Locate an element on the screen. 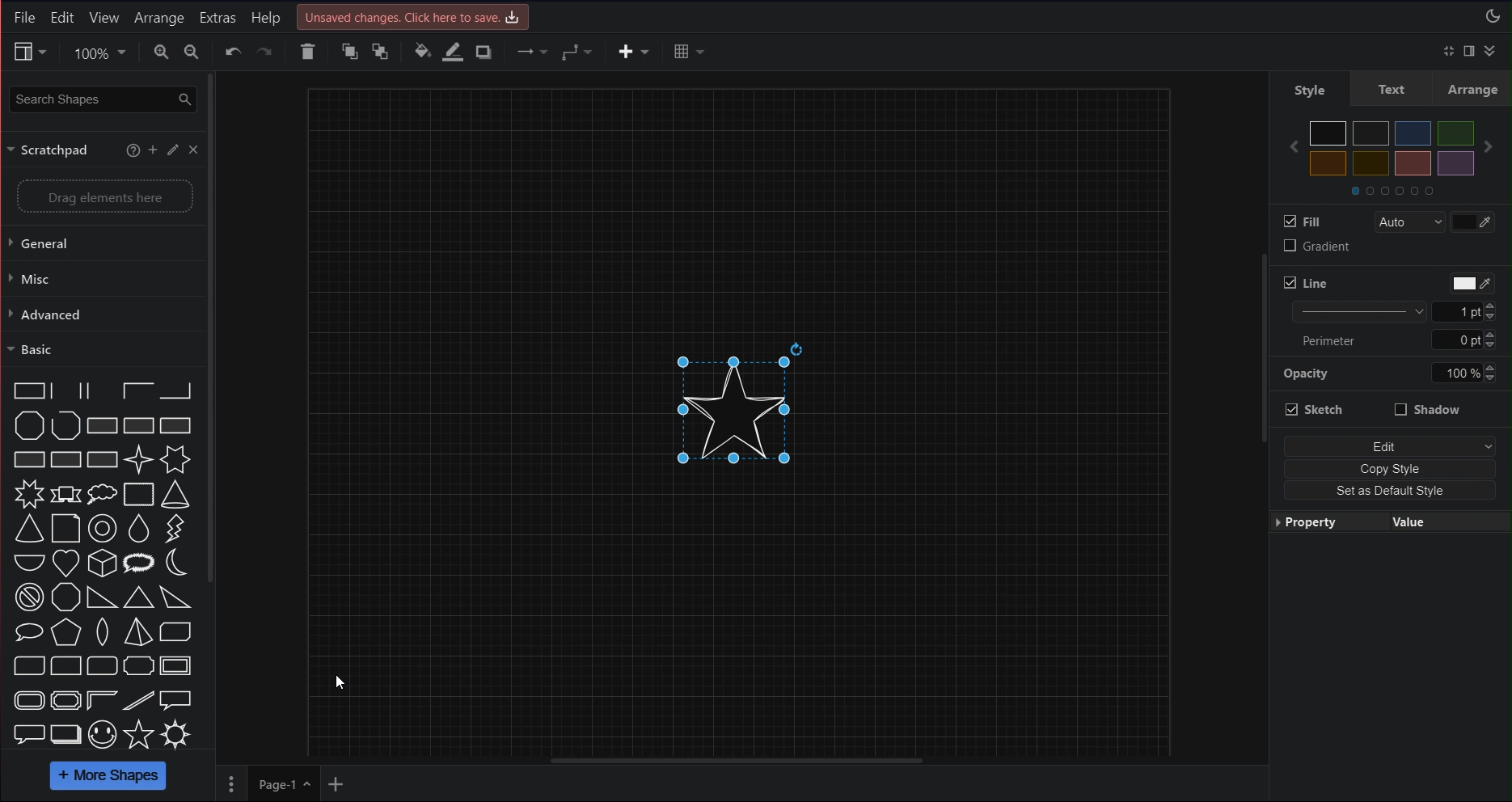 The height and width of the screenshot is (802, 1512). drop is located at coordinates (140, 529).